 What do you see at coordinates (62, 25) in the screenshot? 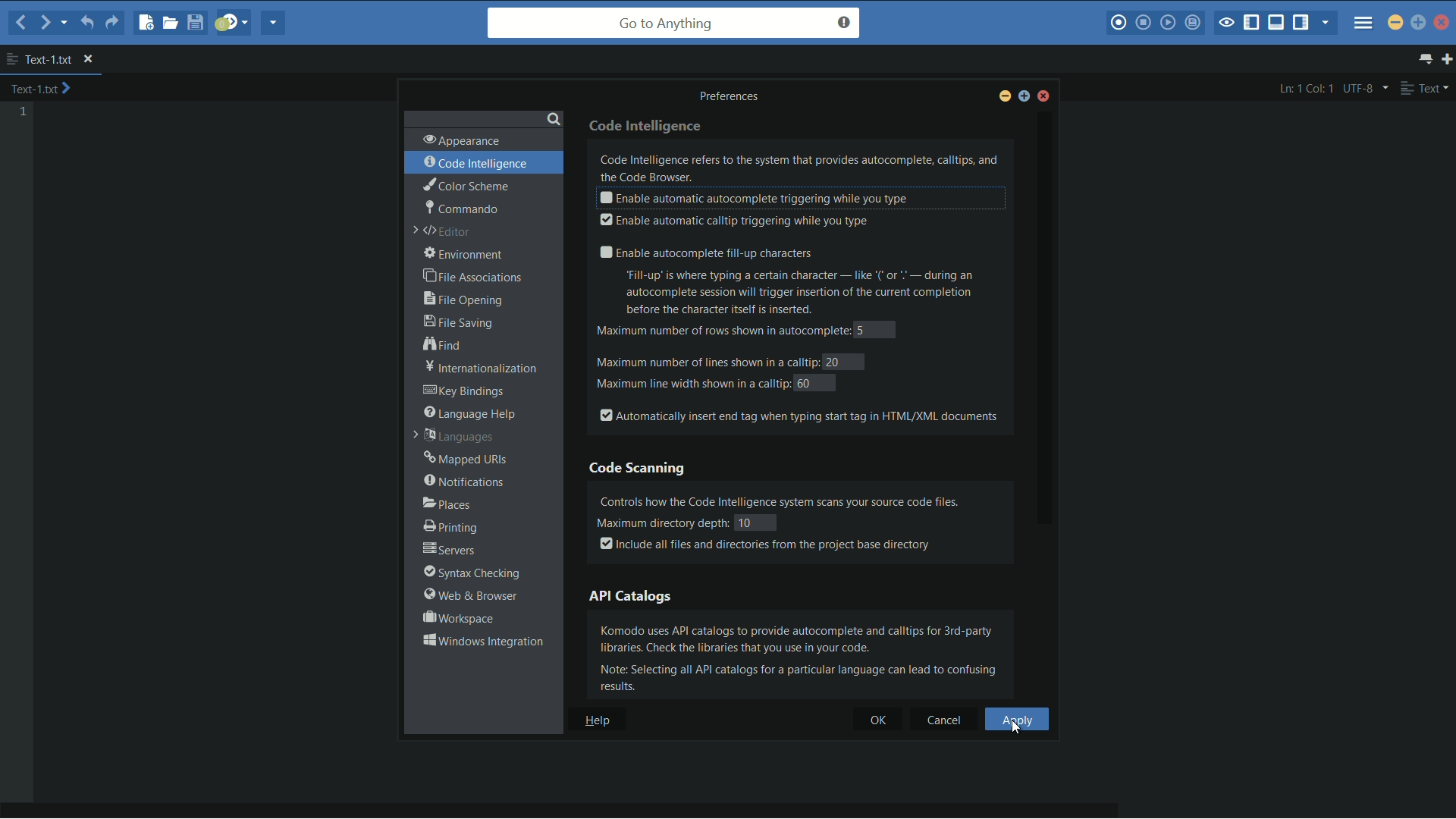
I see `recent location` at bounding box center [62, 25].